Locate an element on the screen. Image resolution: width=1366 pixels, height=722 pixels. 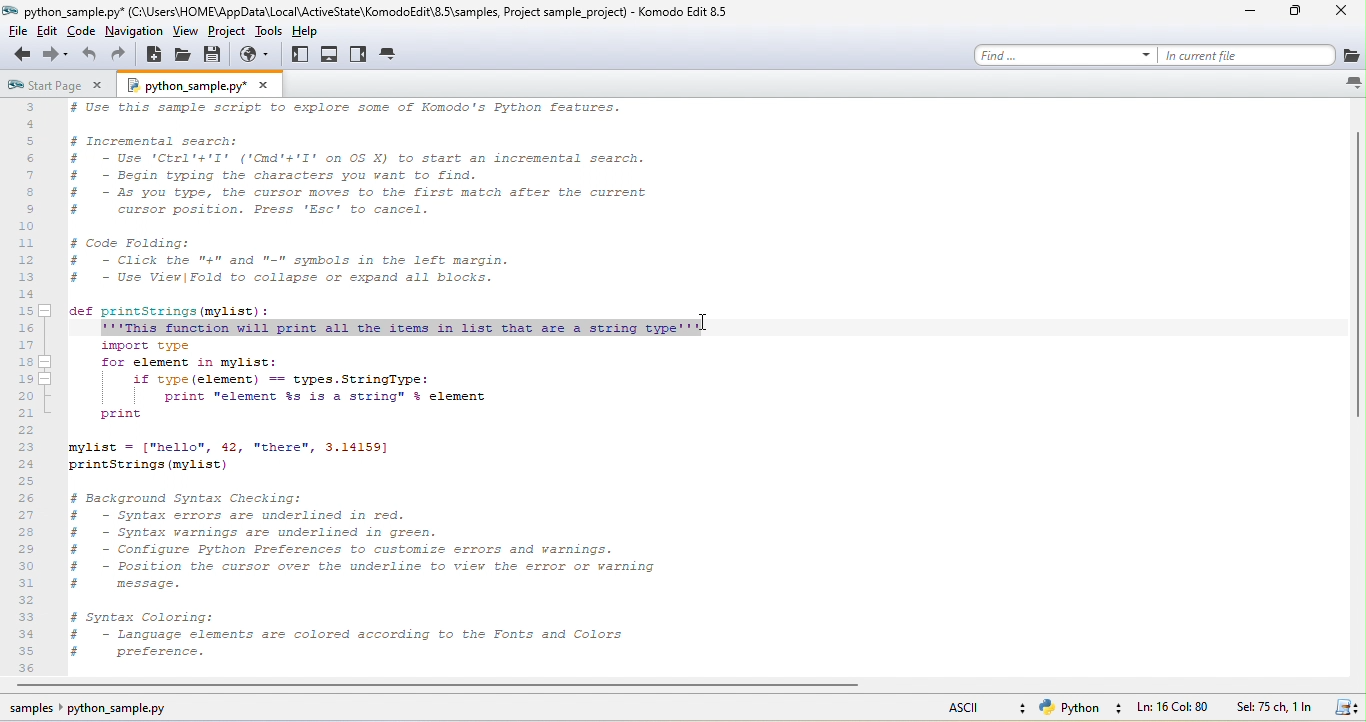
new is located at coordinates (156, 57).